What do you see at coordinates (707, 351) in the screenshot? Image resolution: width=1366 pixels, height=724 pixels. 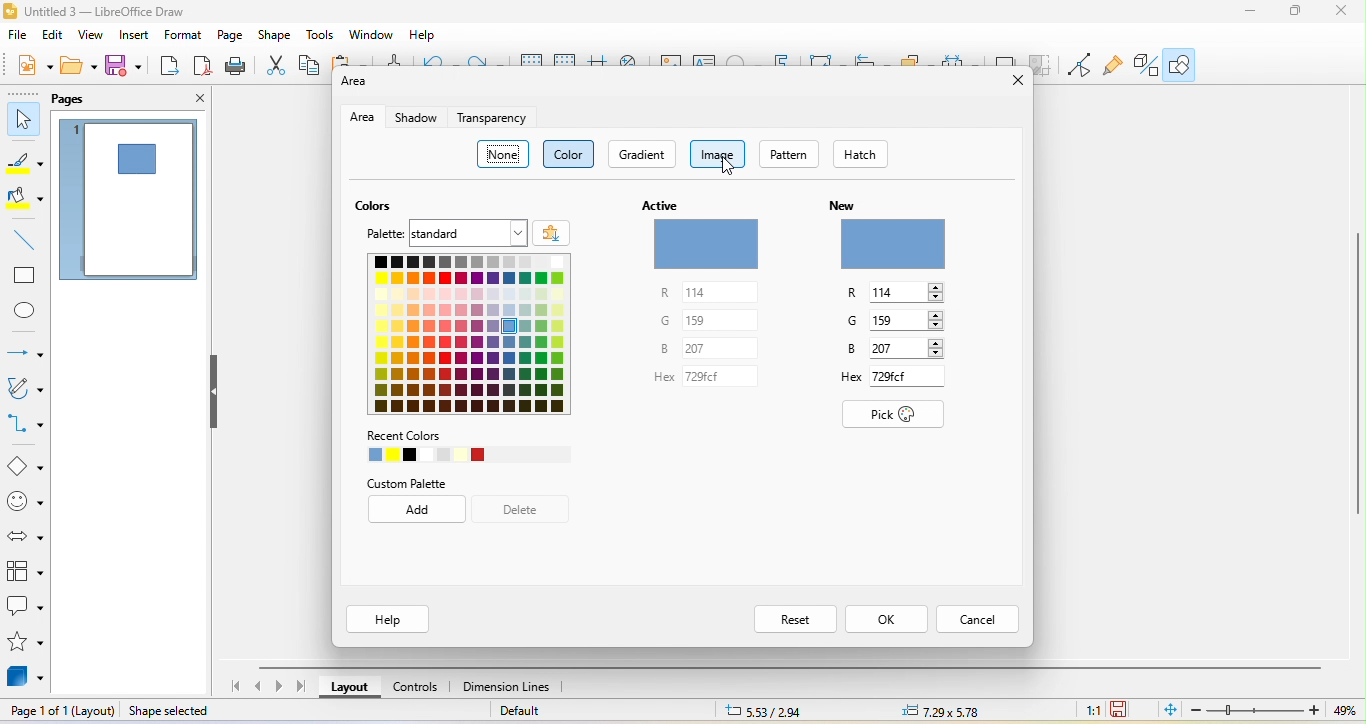 I see `b 207 ` at bounding box center [707, 351].